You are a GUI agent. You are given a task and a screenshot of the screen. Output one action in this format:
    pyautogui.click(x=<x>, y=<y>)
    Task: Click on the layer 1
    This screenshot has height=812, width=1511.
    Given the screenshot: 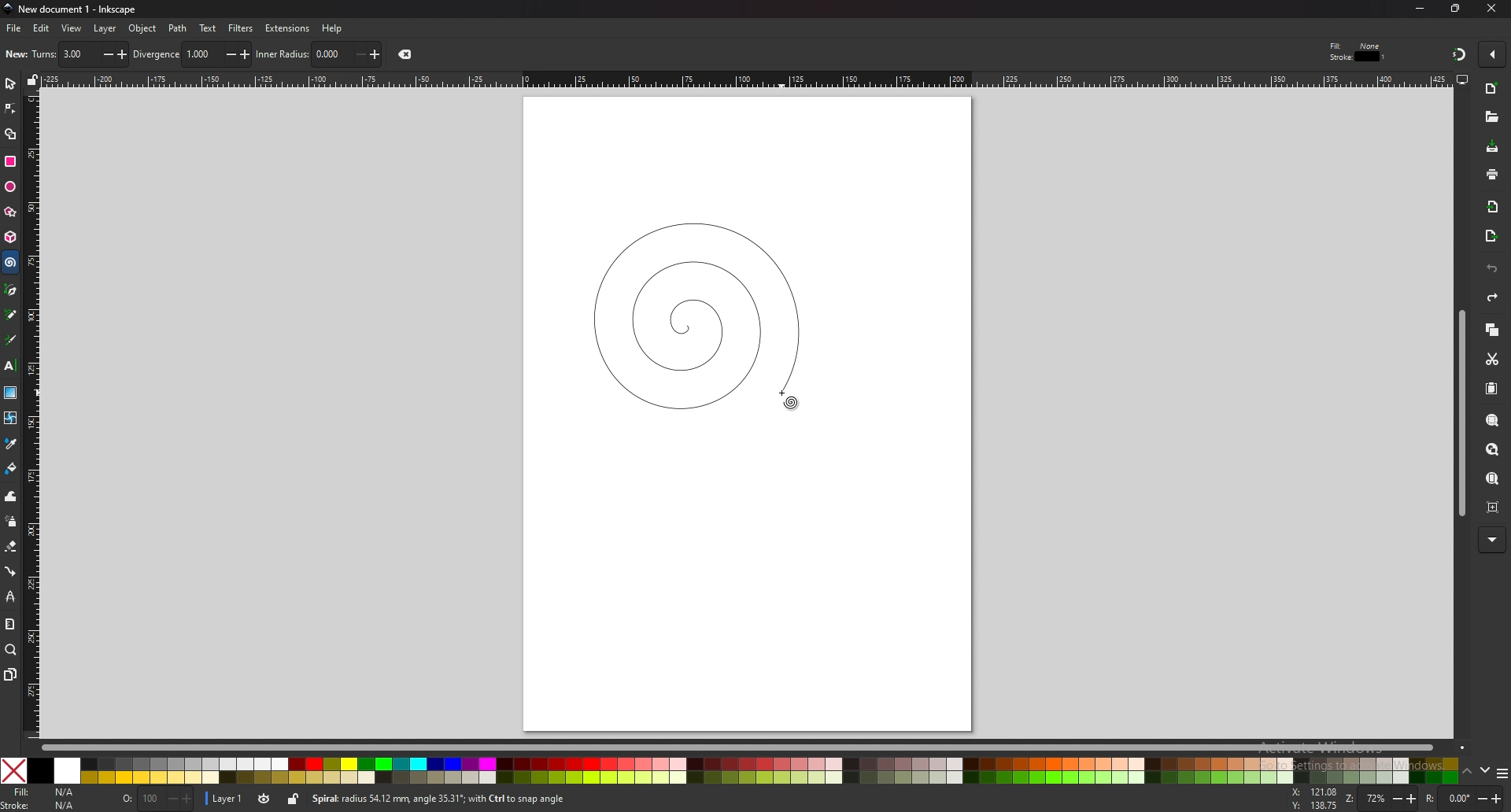 What is the action you would take?
    pyautogui.click(x=227, y=799)
    